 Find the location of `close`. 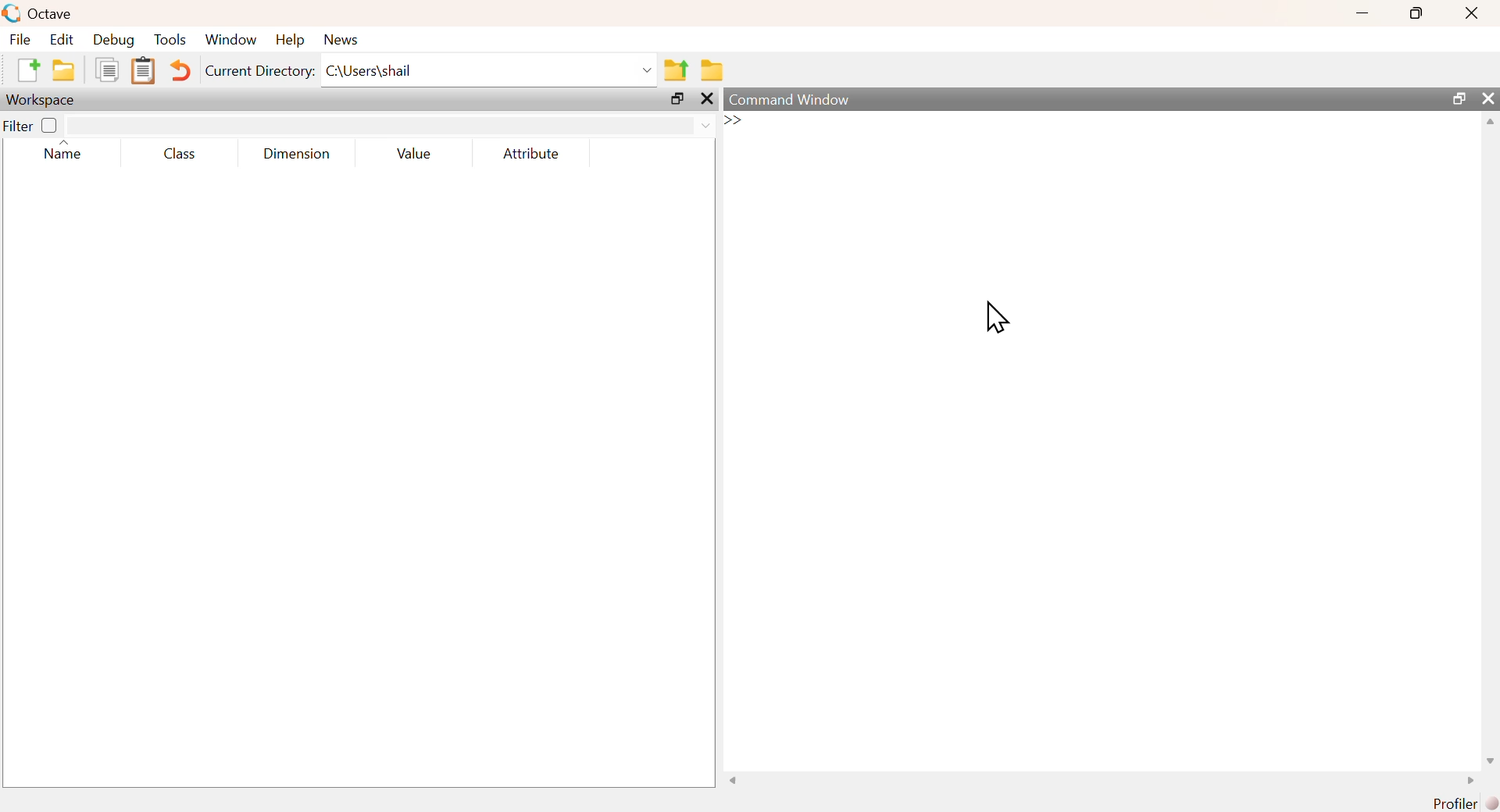

close is located at coordinates (707, 100).